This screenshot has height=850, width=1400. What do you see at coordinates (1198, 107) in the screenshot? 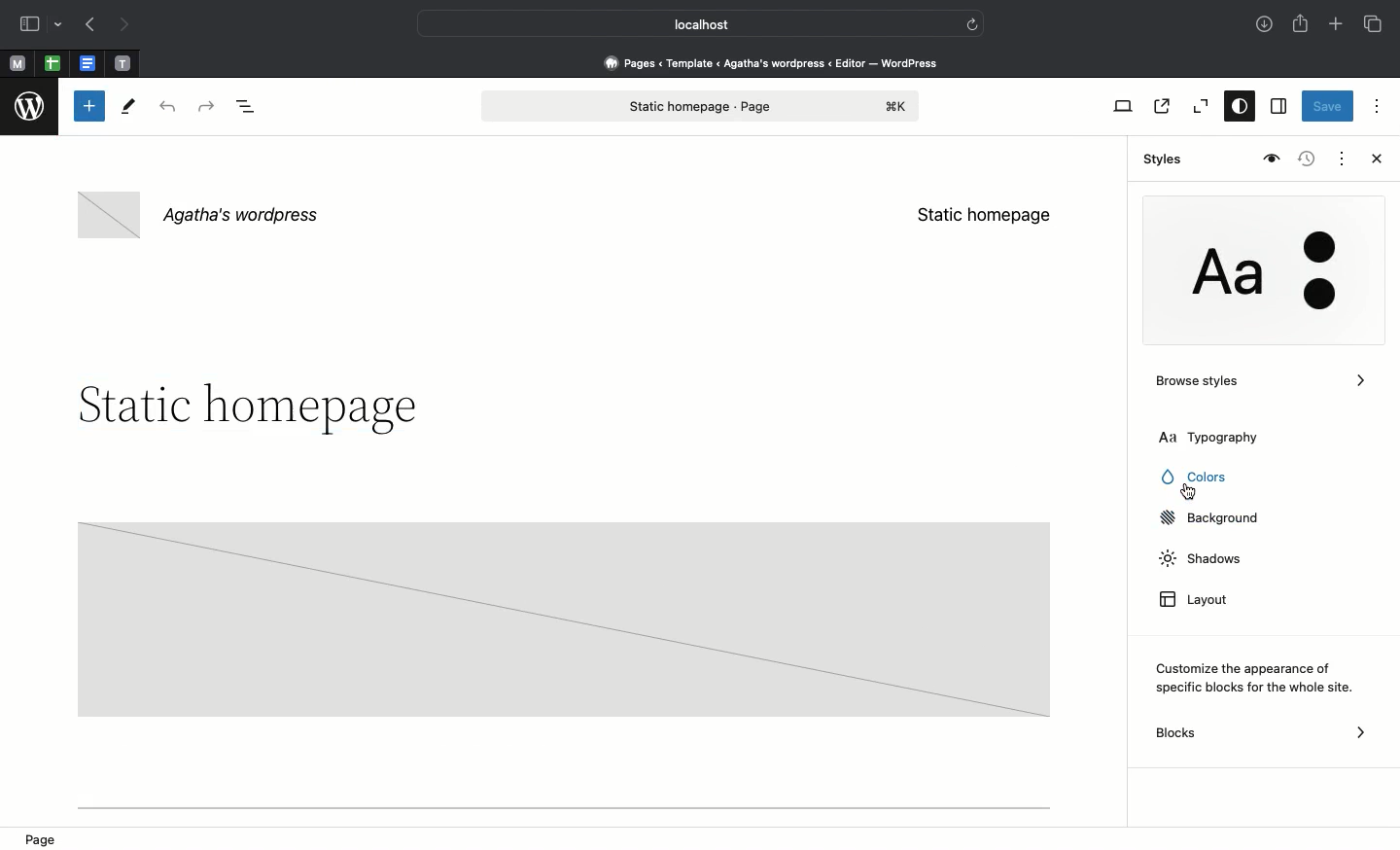
I see `Zoom out` at bounding box center [1198, 107].